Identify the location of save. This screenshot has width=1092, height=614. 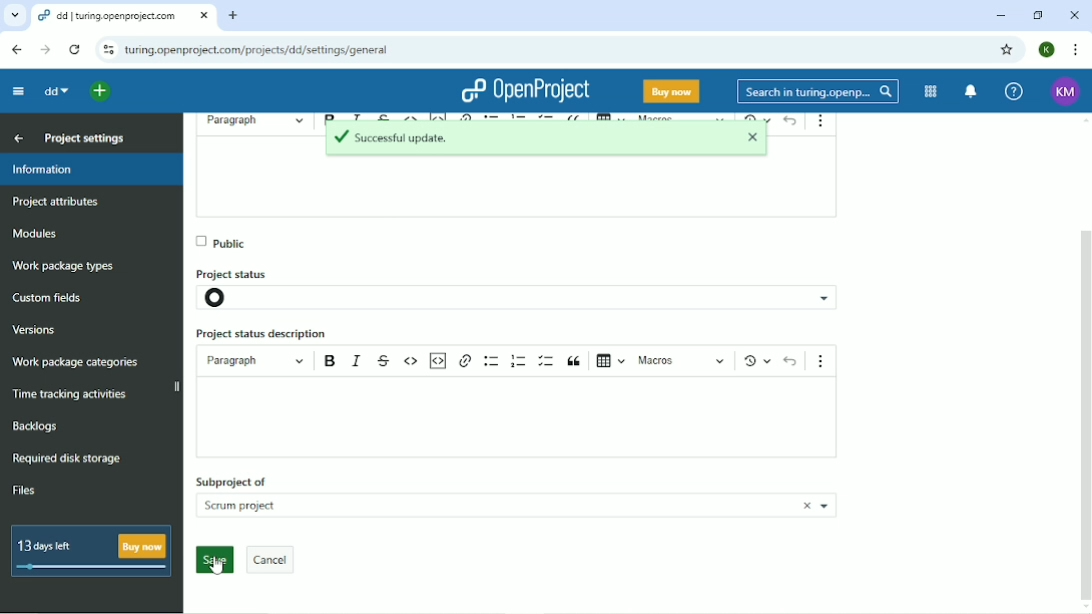
(217, 561).